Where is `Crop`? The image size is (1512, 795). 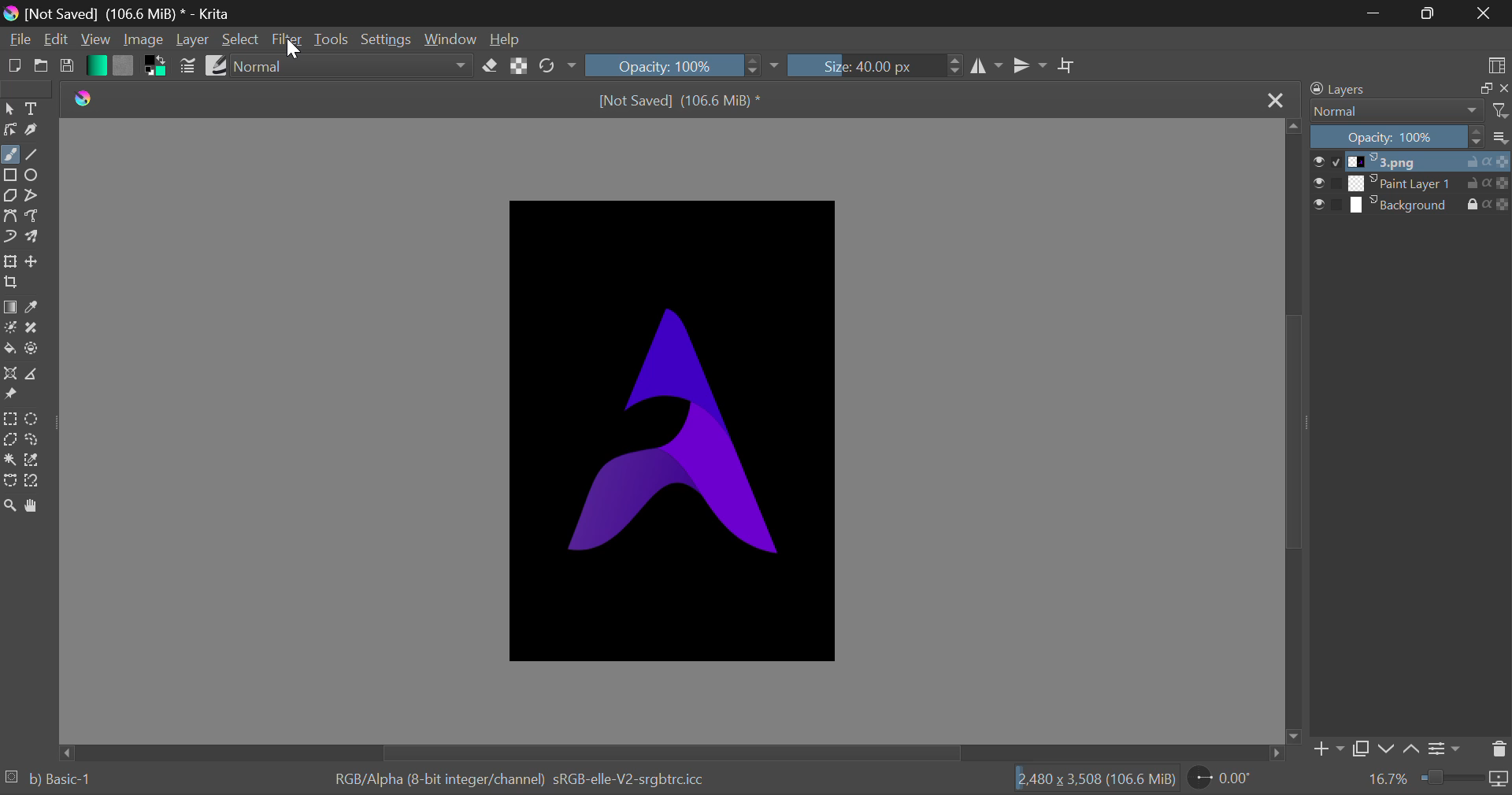
Crop is located at coordinates (13, 283).